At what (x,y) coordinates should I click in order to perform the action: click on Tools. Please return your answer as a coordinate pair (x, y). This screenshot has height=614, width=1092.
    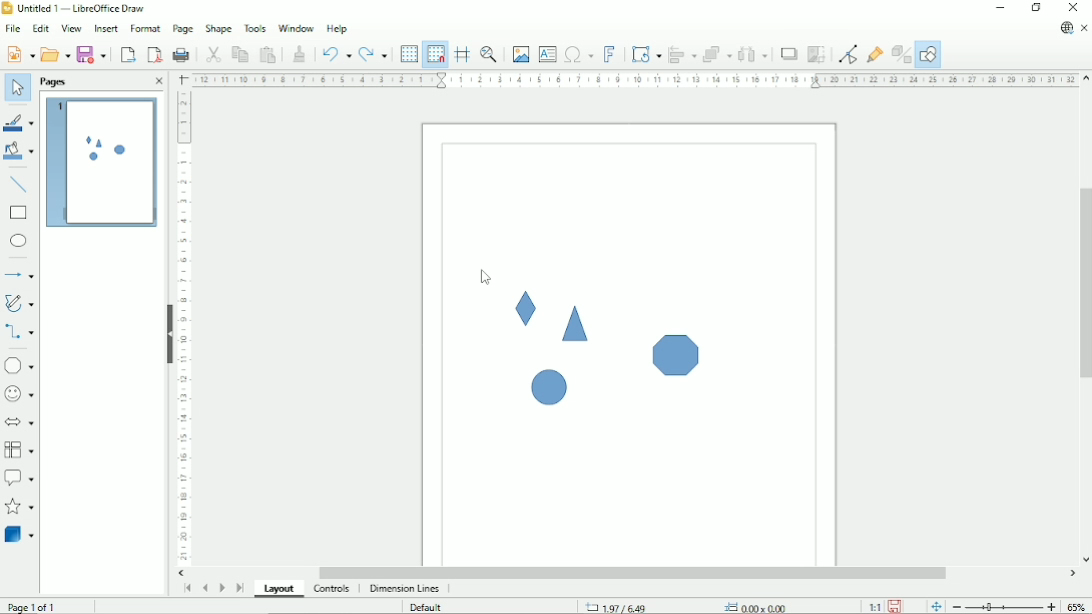
    Looking at the image, I should click on (255, 27).